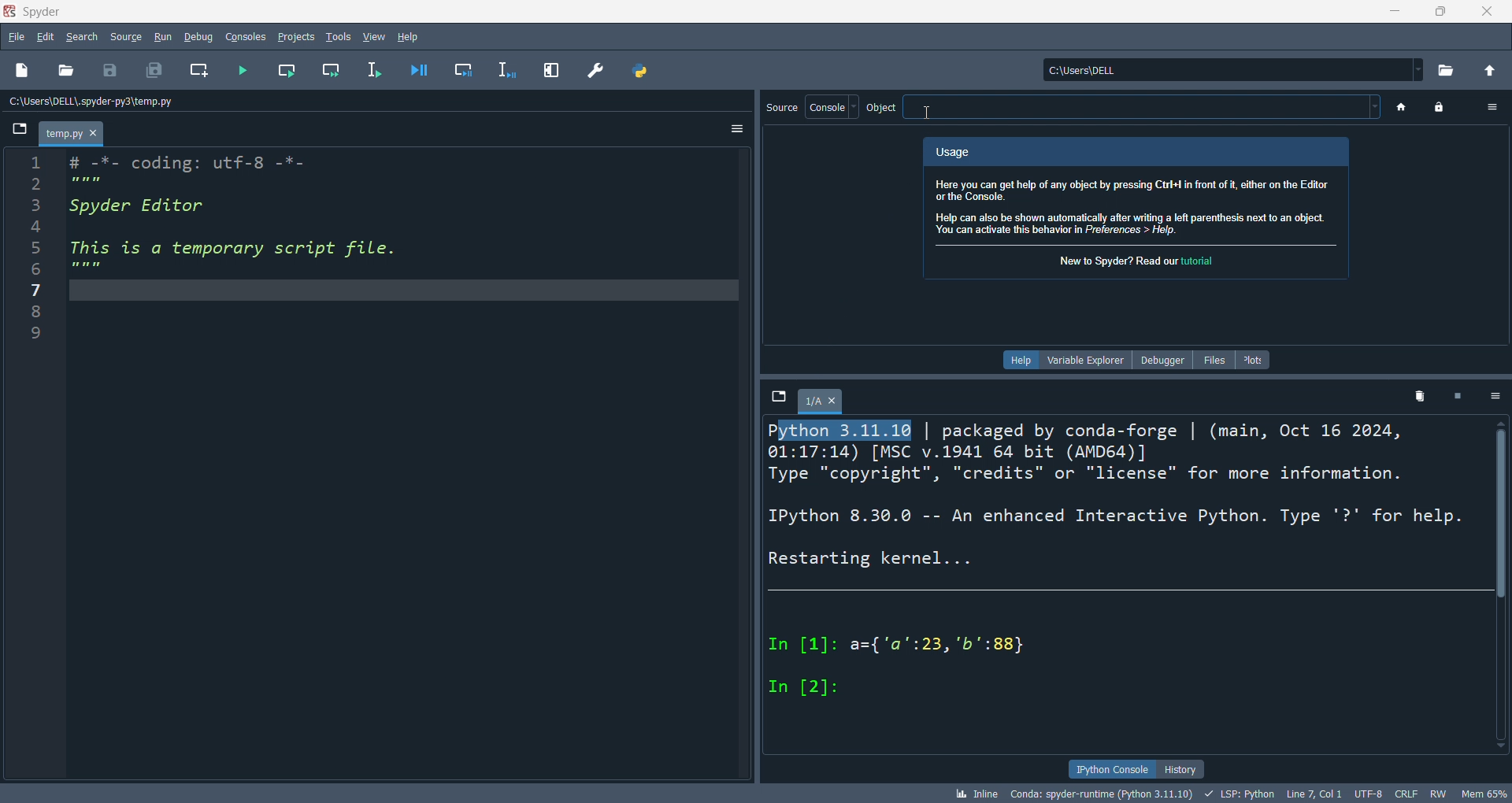 The image size is (1512, 803). I want to click on runline, so click(372, 68).